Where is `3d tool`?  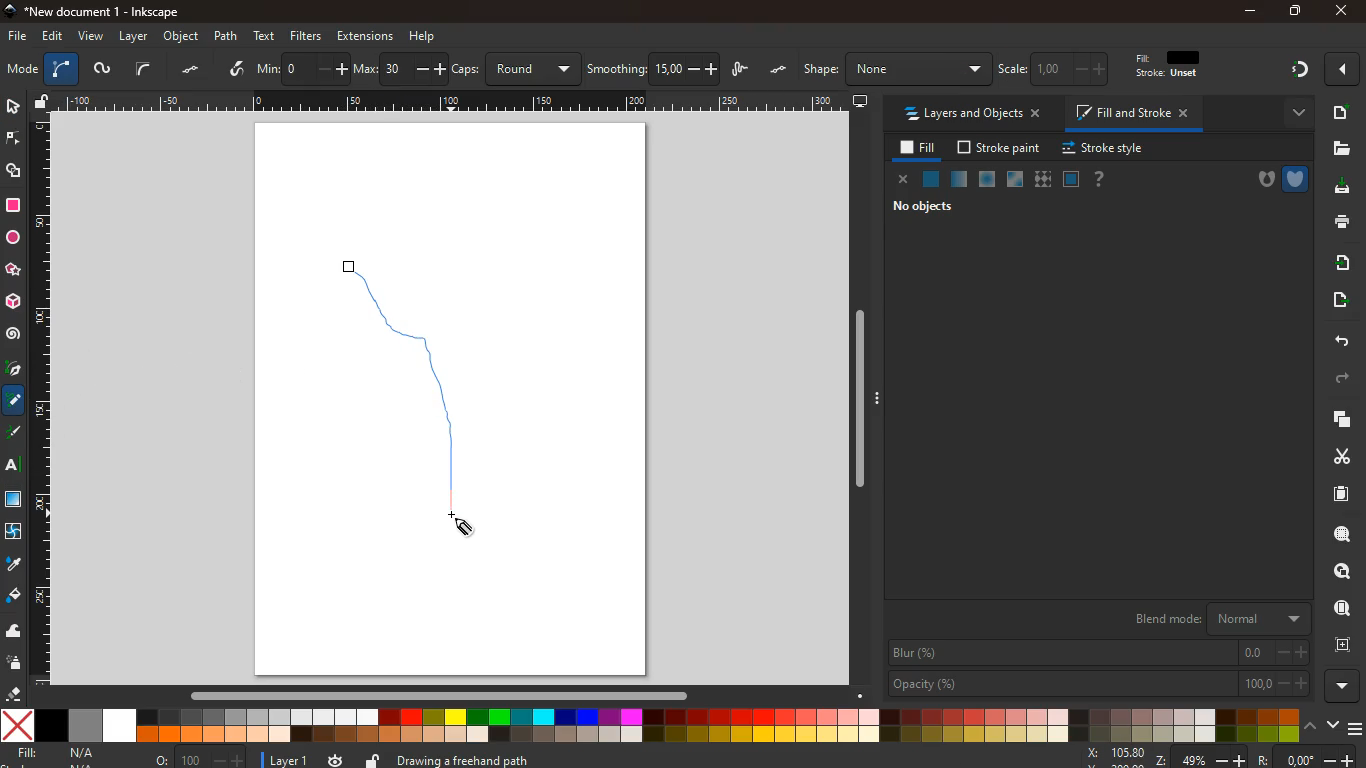
3d tool is located at coordinates (15, 302).